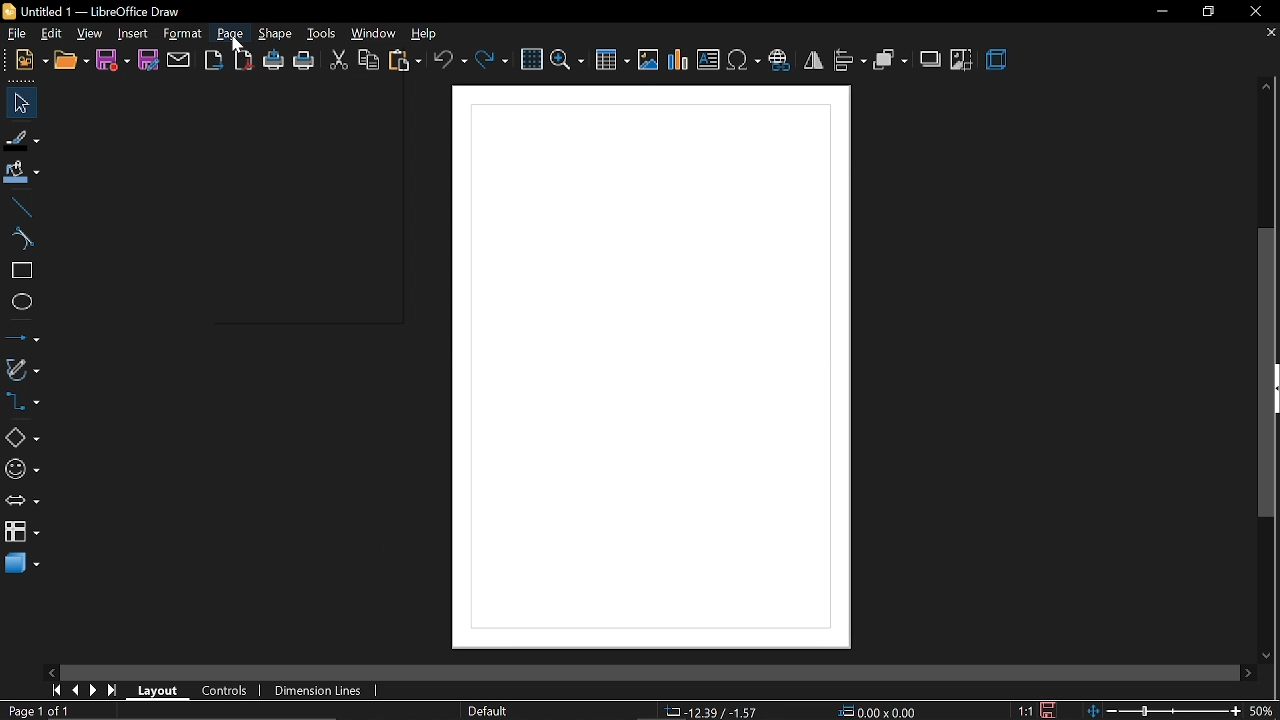  Describe the element at coordinates (714, 710) in the screenshot. I see `-12.39/-1.57 - co-ordinate` at that location.